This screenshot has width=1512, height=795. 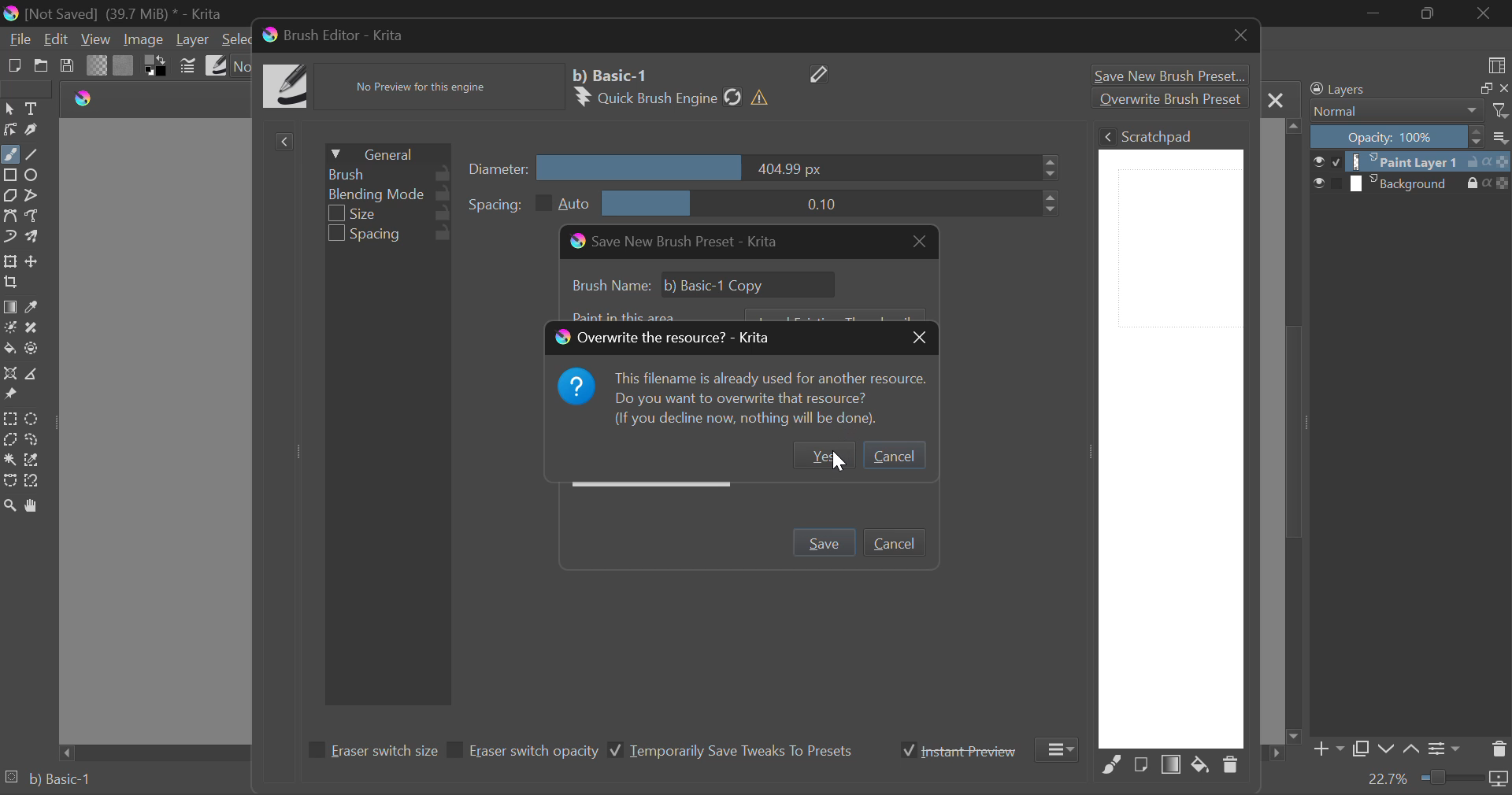 What do you see at coordinates (34, 176) in the screenshot?
I see `Ellipses` at bounding box center [34, 176].